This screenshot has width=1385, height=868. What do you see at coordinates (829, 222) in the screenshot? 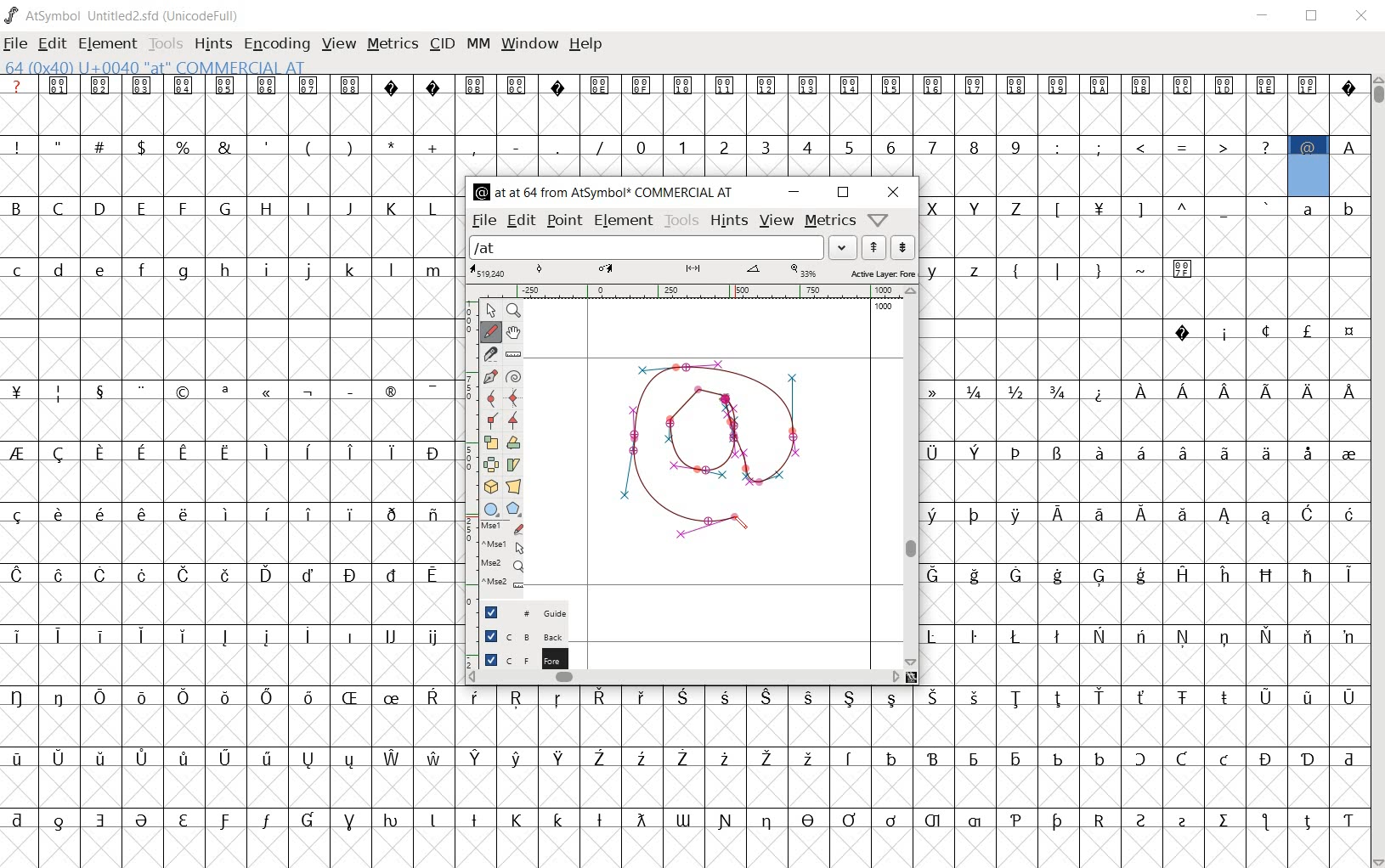
I see `metrics` at bounding box center [829, 222].